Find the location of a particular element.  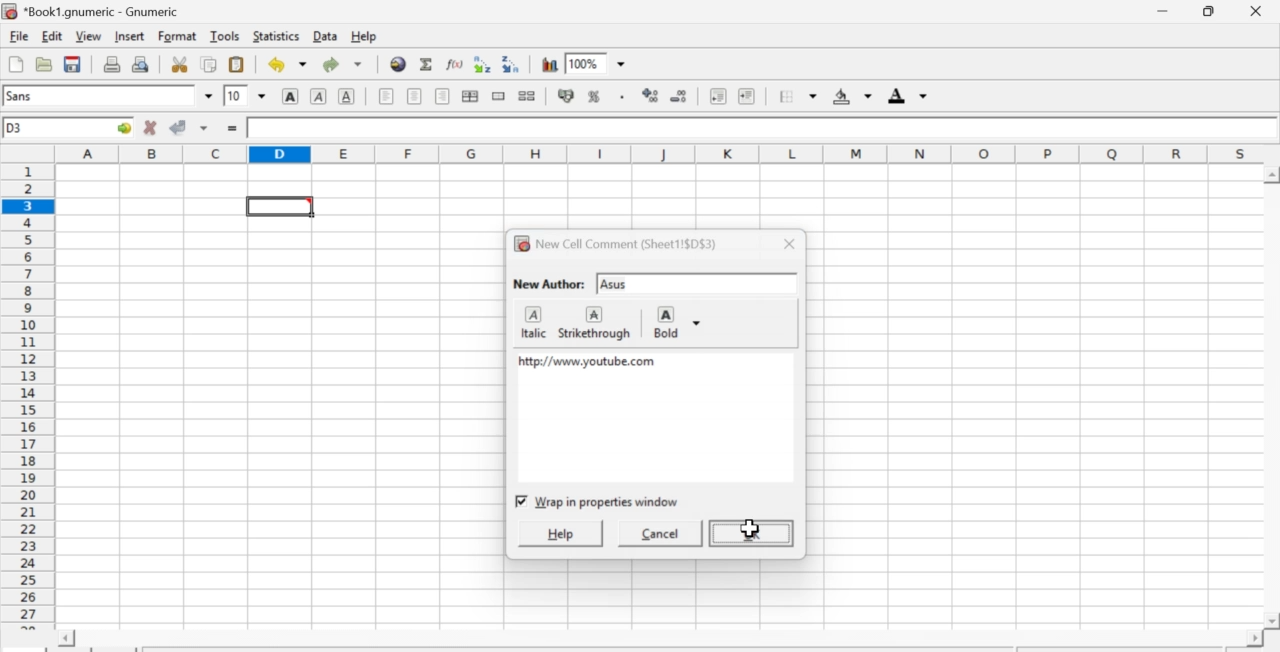

Active cell is located at coordinates (70, 128).